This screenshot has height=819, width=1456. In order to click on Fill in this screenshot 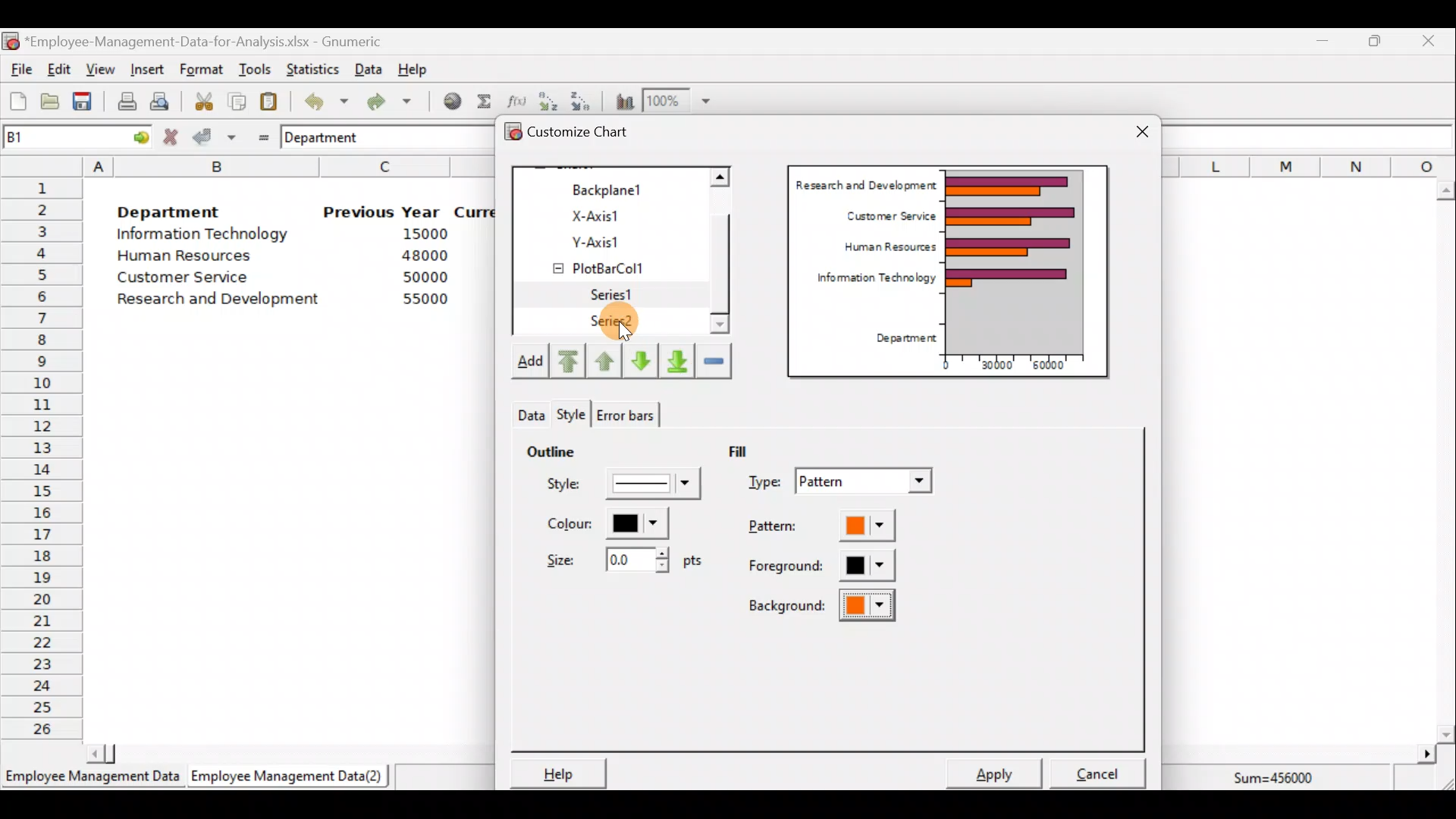, I will do `click(749, 450)`.